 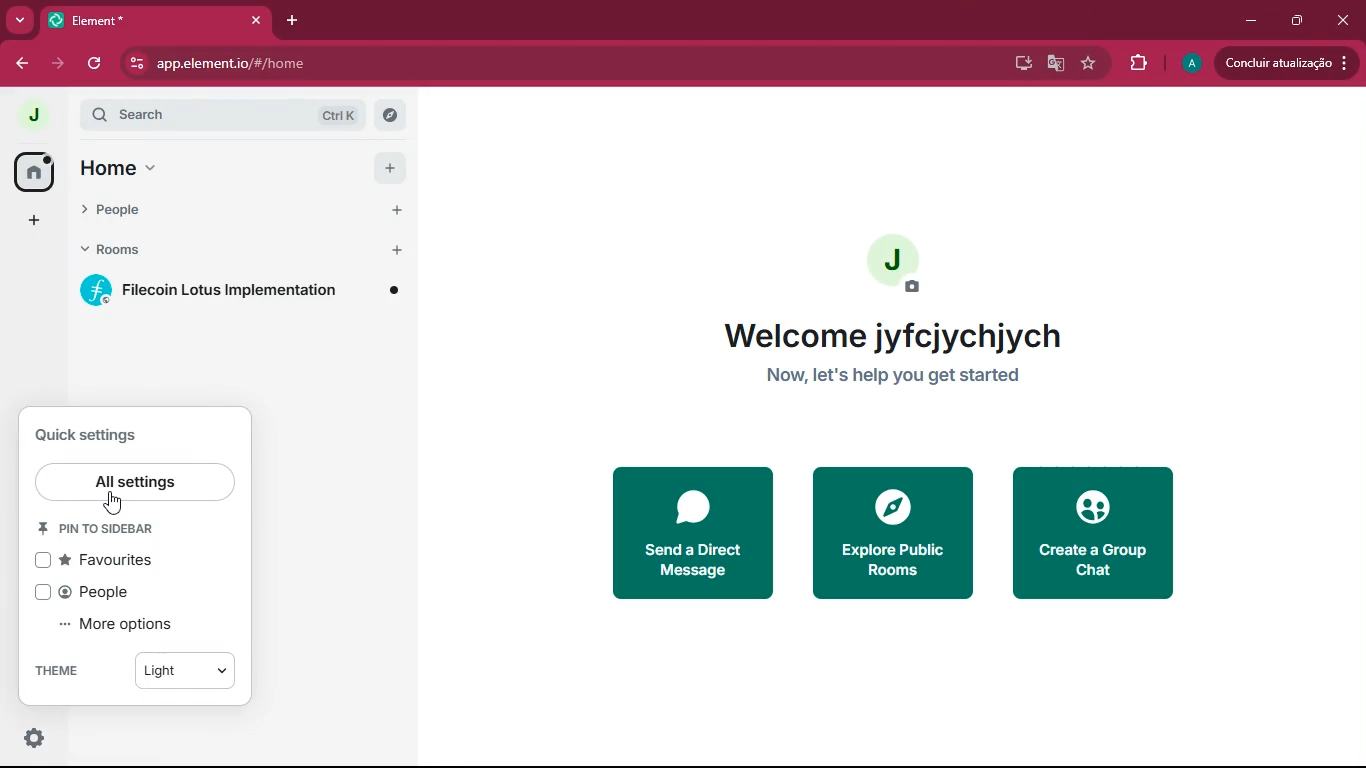 I want to click on desktop, so click(x=1018, y=65).